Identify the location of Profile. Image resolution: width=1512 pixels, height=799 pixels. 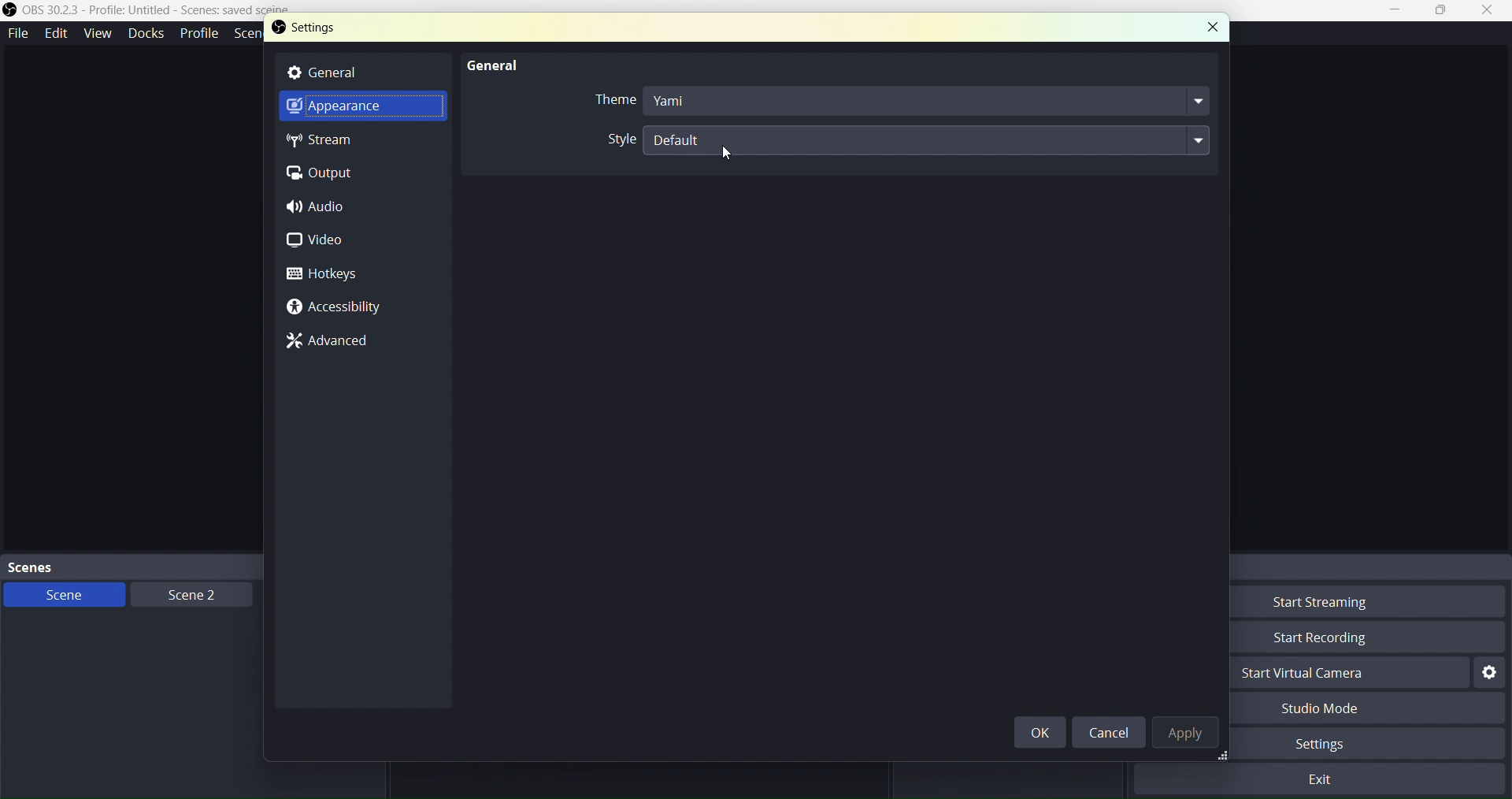
(199, 33).